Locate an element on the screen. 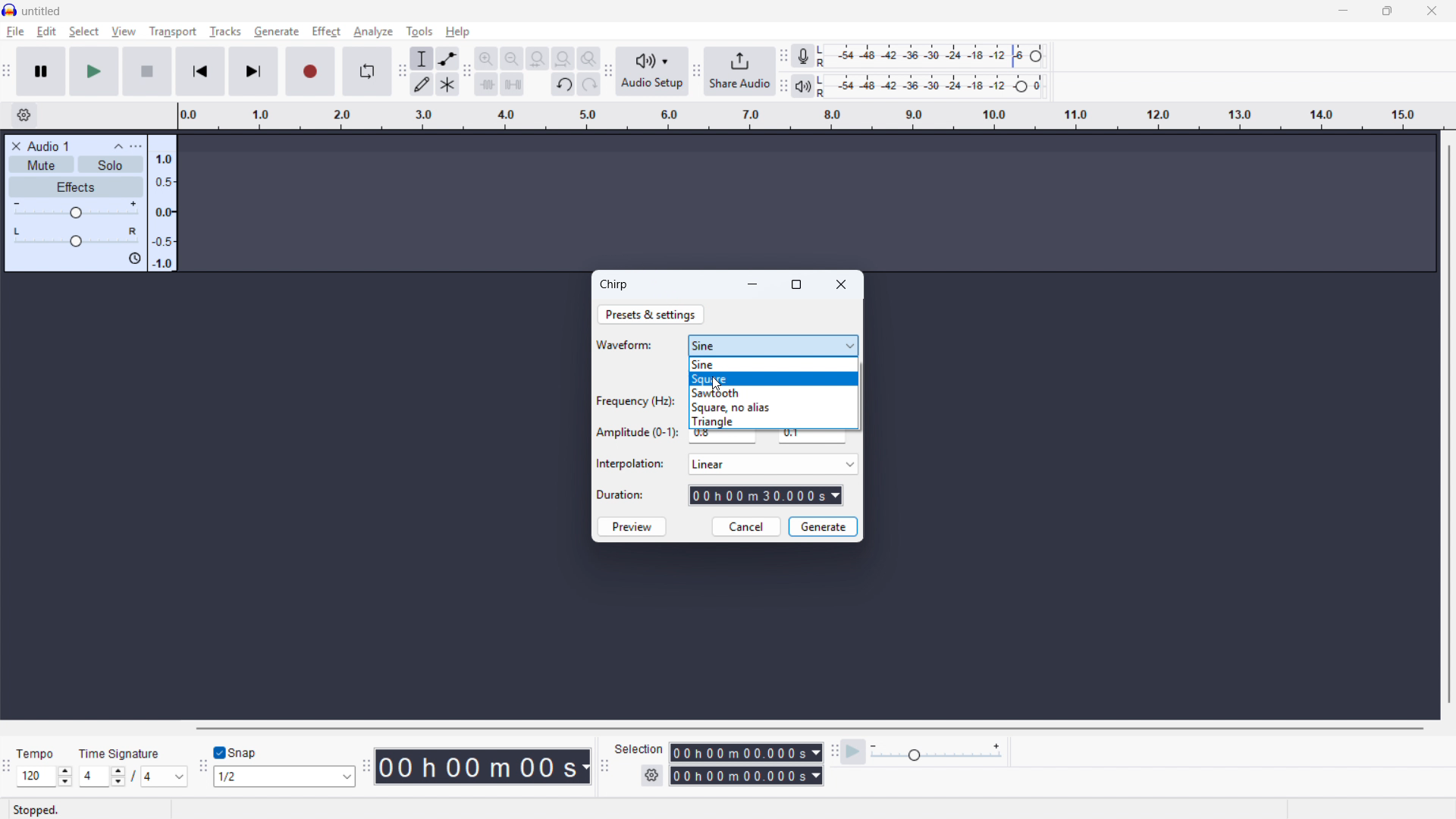 This screenshot has height=819, width=1456. Sync lock on  is located at coordinates (134, 259).